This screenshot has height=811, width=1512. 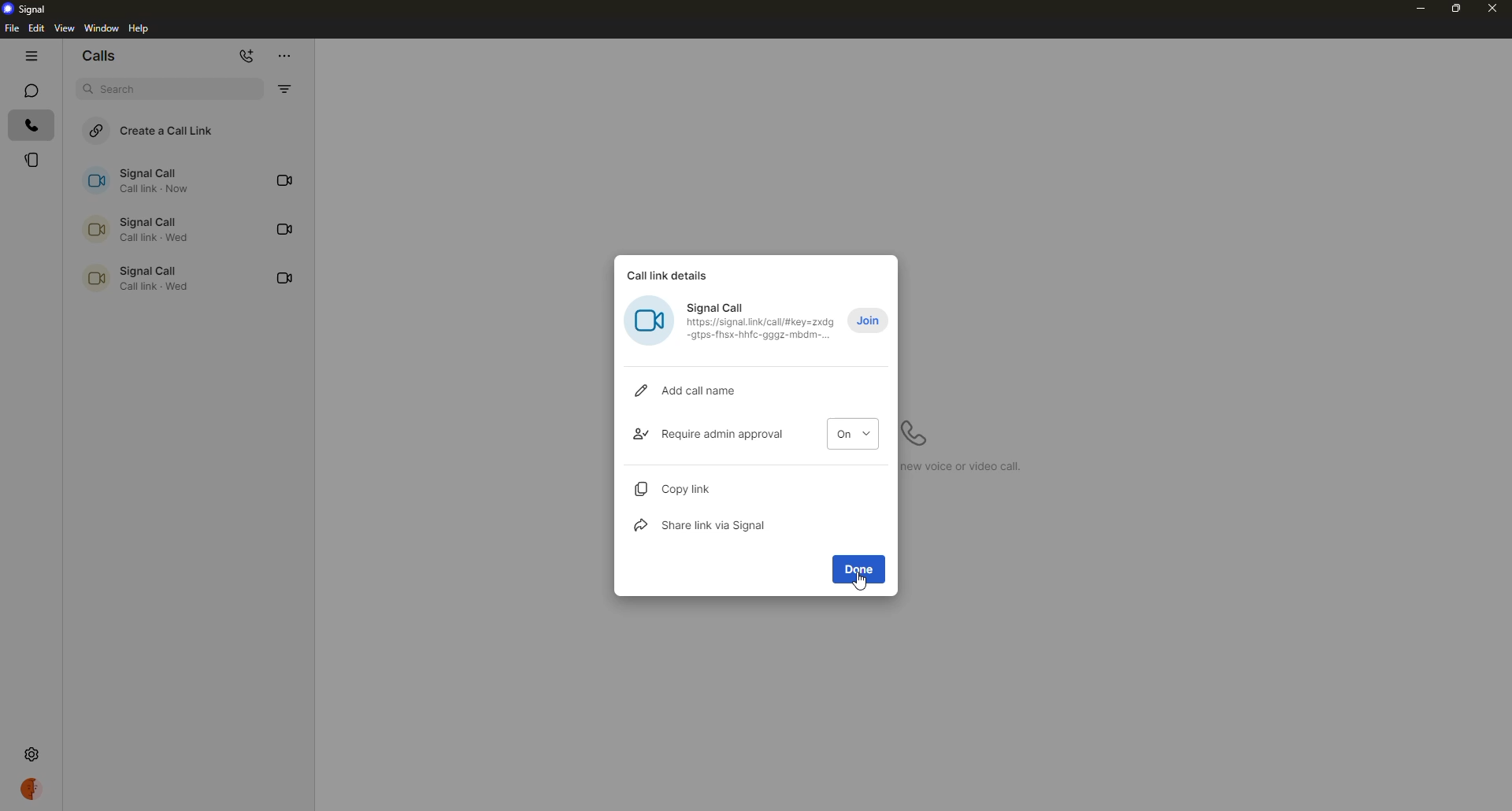 What do you see at coordinates (685, 391) in the screenshot?
I see `add call name` at bounding box center [685, 391].